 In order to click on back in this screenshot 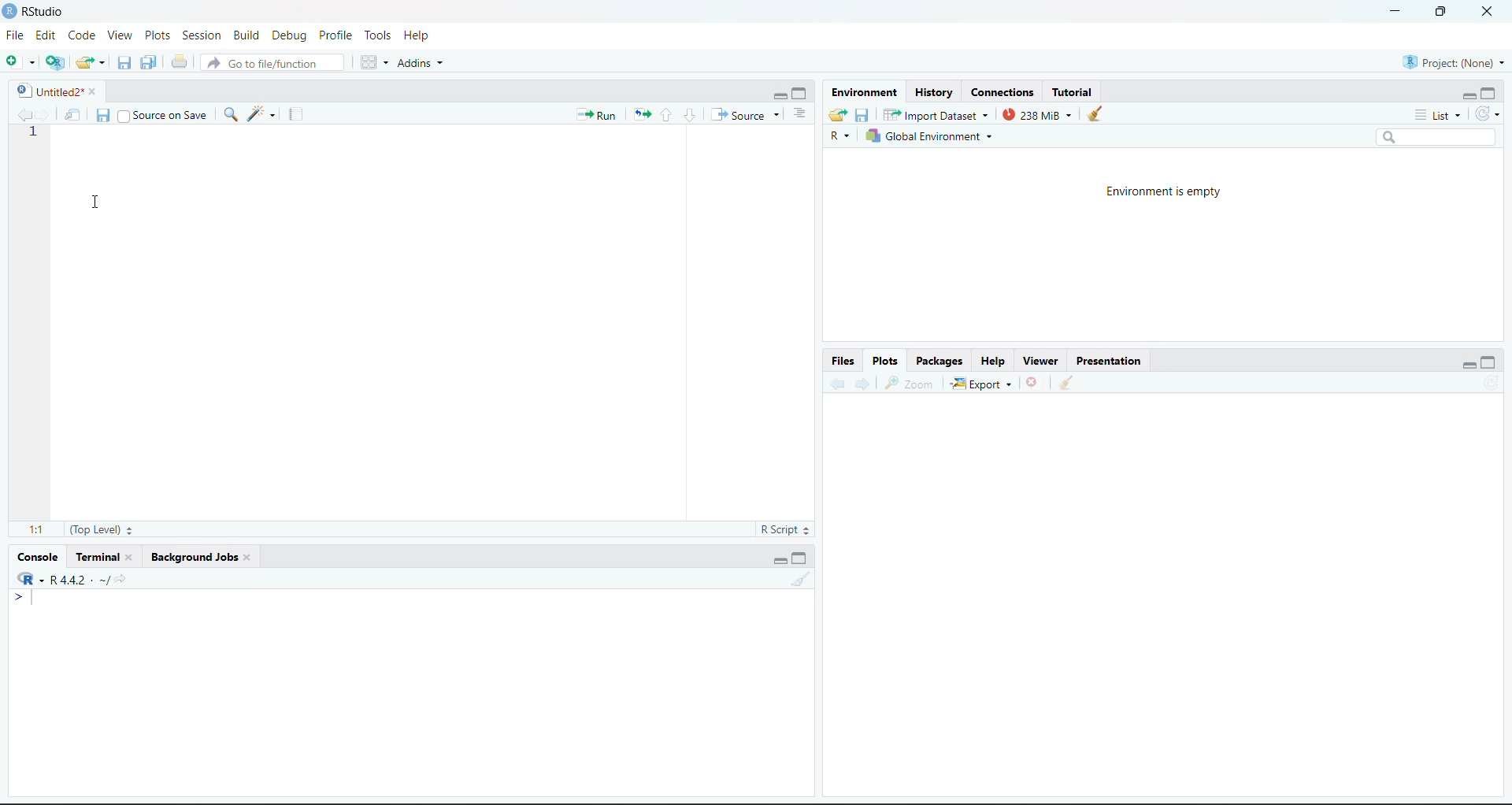, I will do `click(22, 114)`.